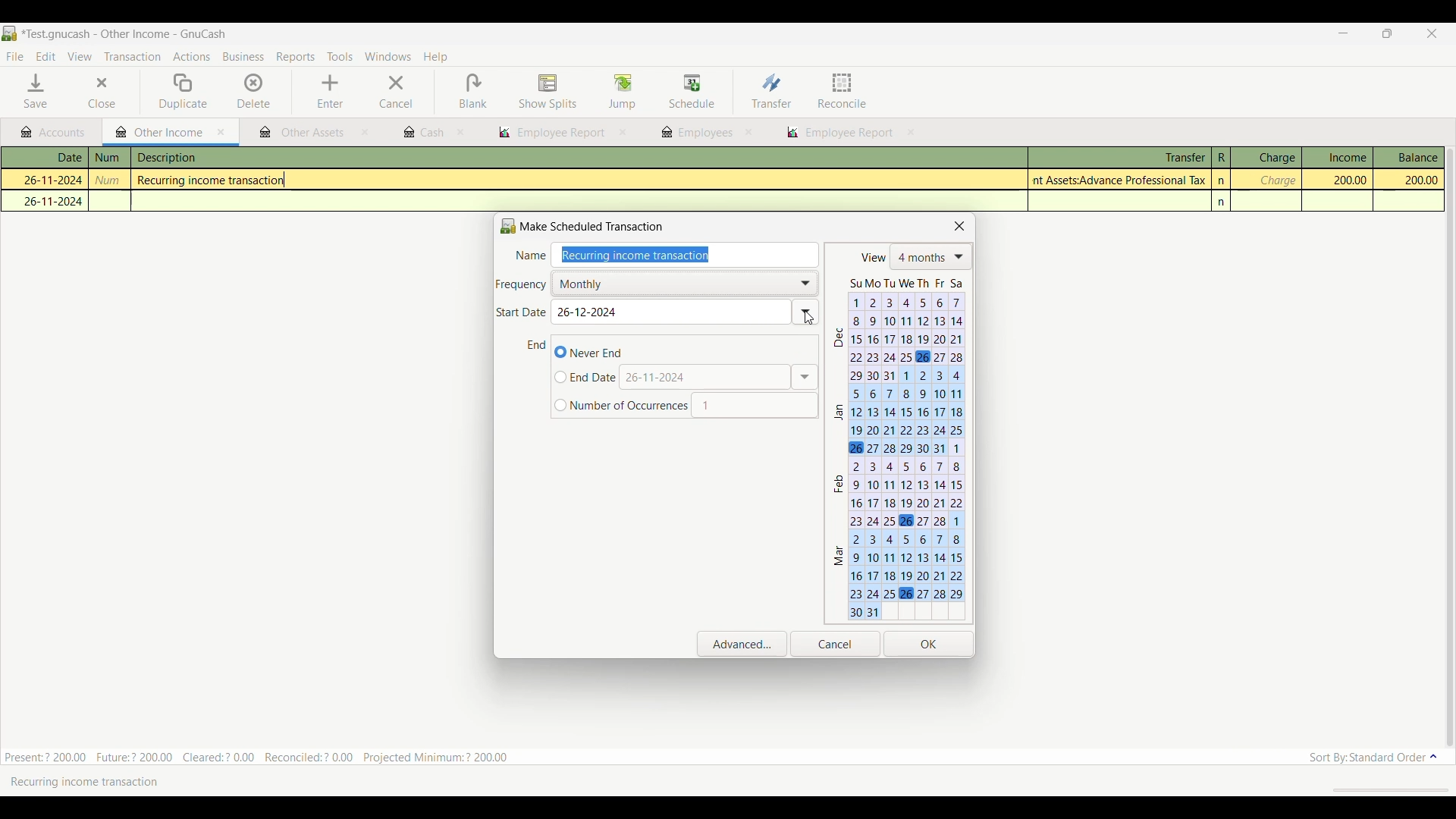  I want to click on employee report, so click(551, 133).